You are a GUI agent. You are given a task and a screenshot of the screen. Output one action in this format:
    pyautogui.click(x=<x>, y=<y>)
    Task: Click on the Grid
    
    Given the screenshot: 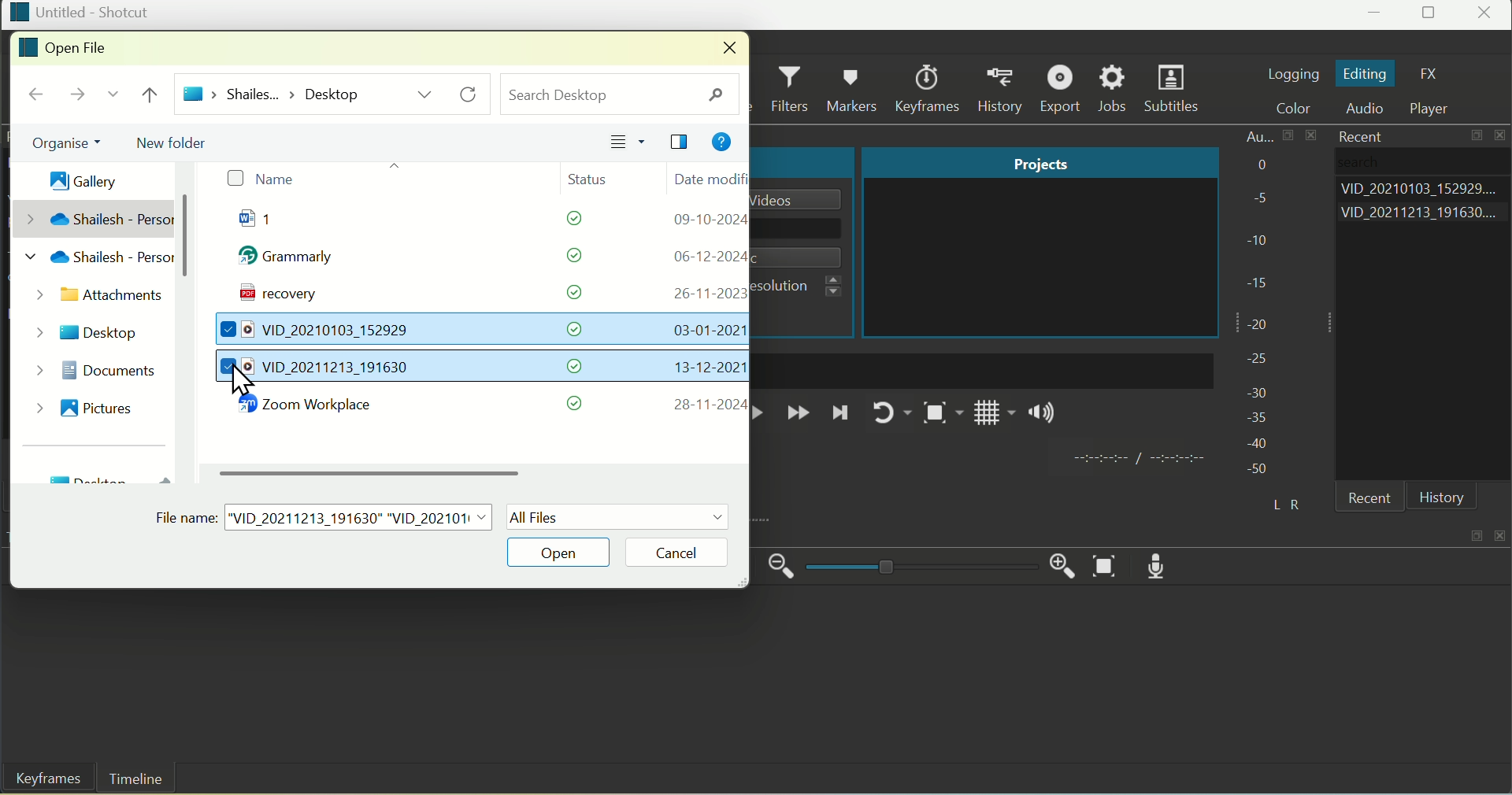 What is the action you would take?
    pyautogui.click(x=995, y=417)
    